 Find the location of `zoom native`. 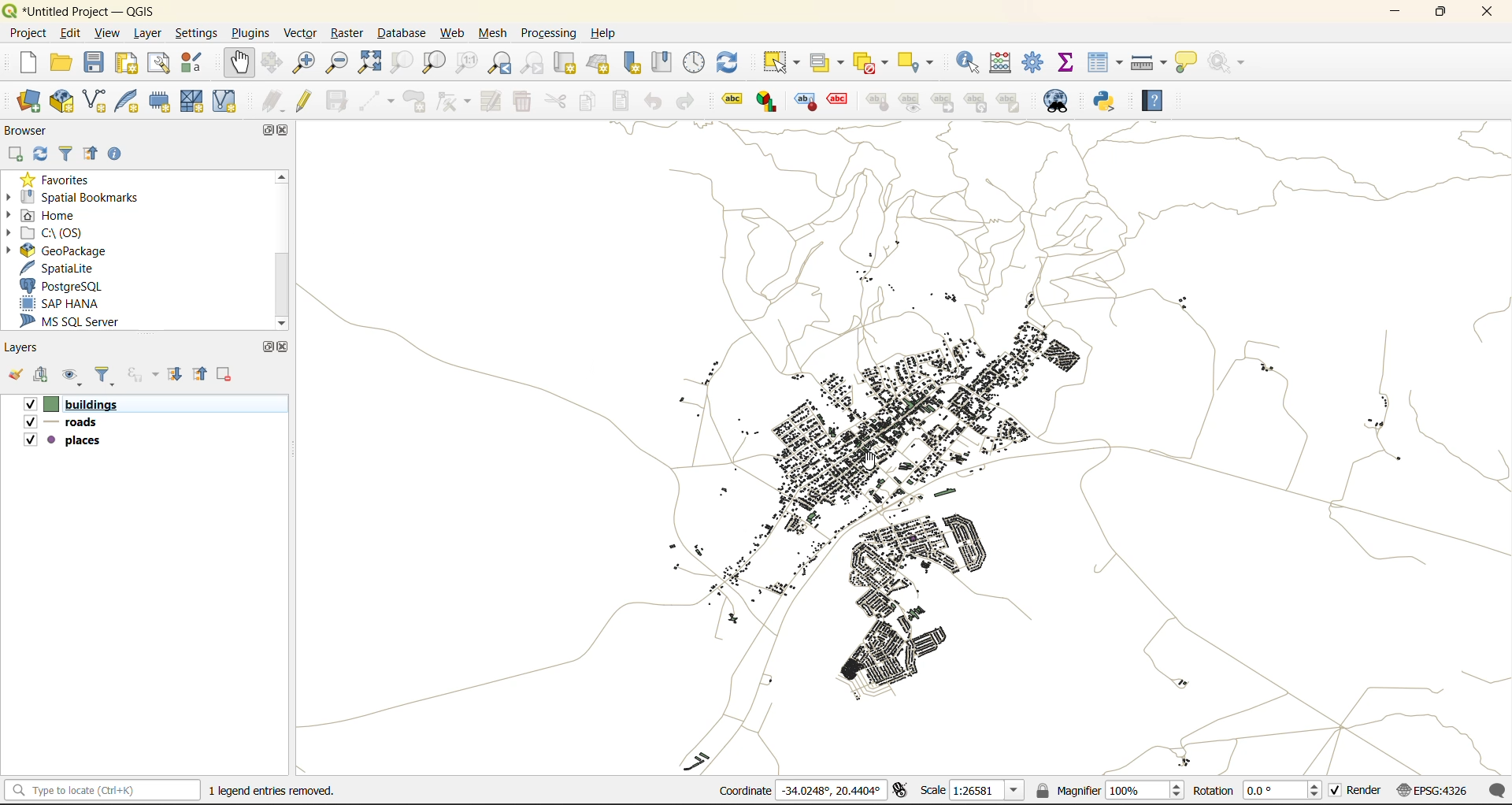

zoom native is located at coordinates (462, 65).